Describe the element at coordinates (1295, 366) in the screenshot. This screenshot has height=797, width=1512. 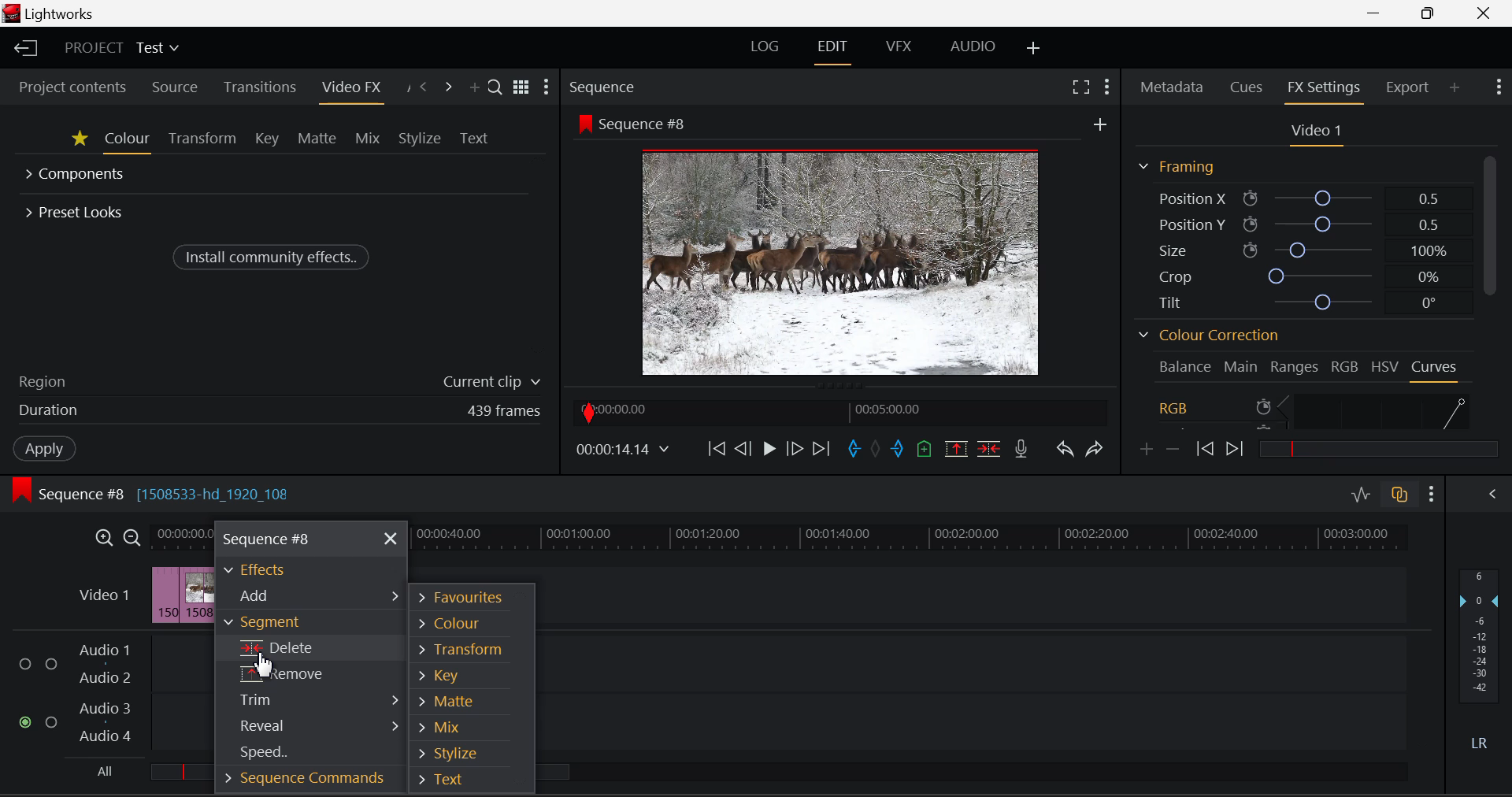
I see `Ranges` at that location.